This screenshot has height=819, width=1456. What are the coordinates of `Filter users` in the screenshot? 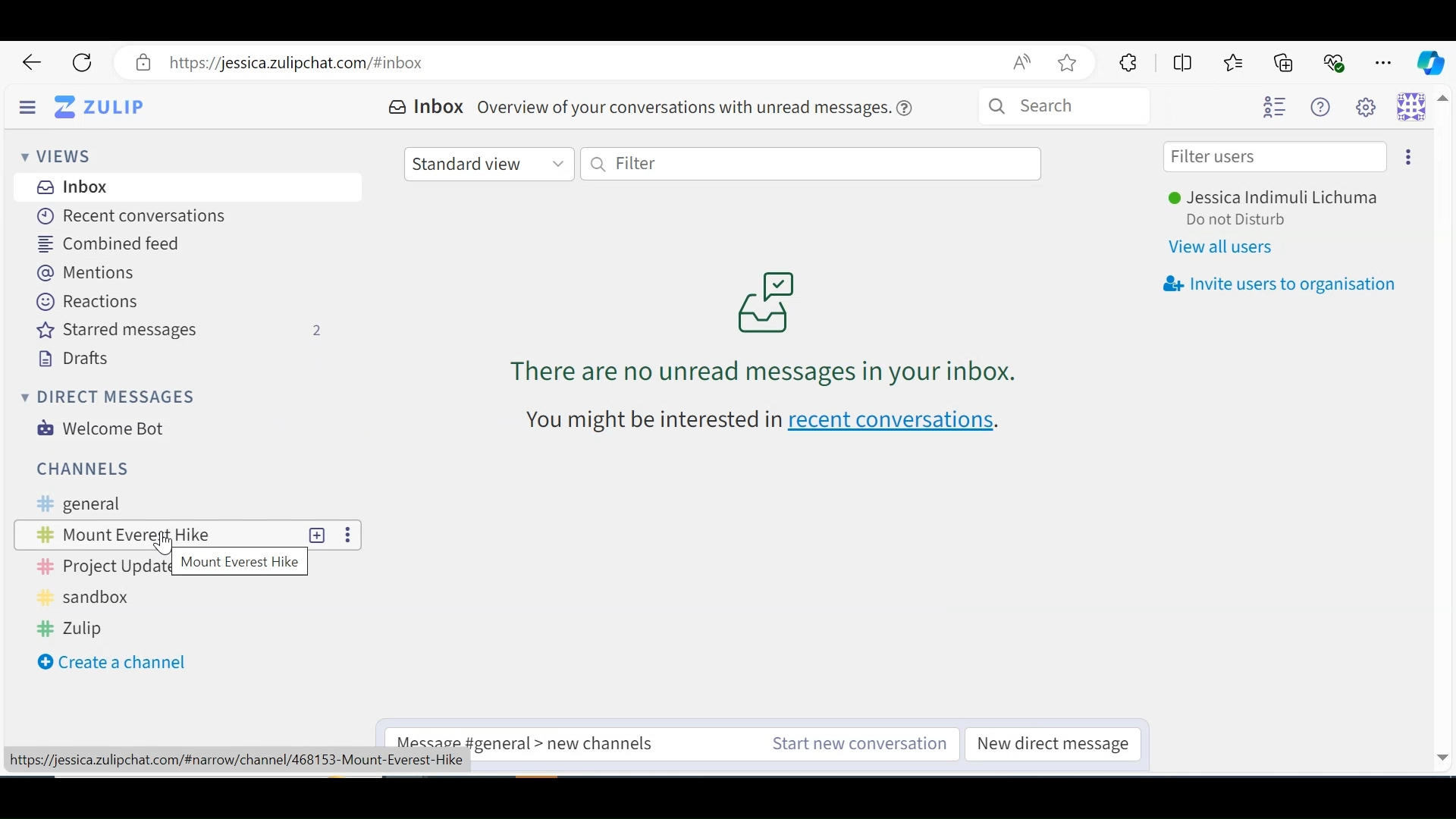 It's located at (1276, 157).